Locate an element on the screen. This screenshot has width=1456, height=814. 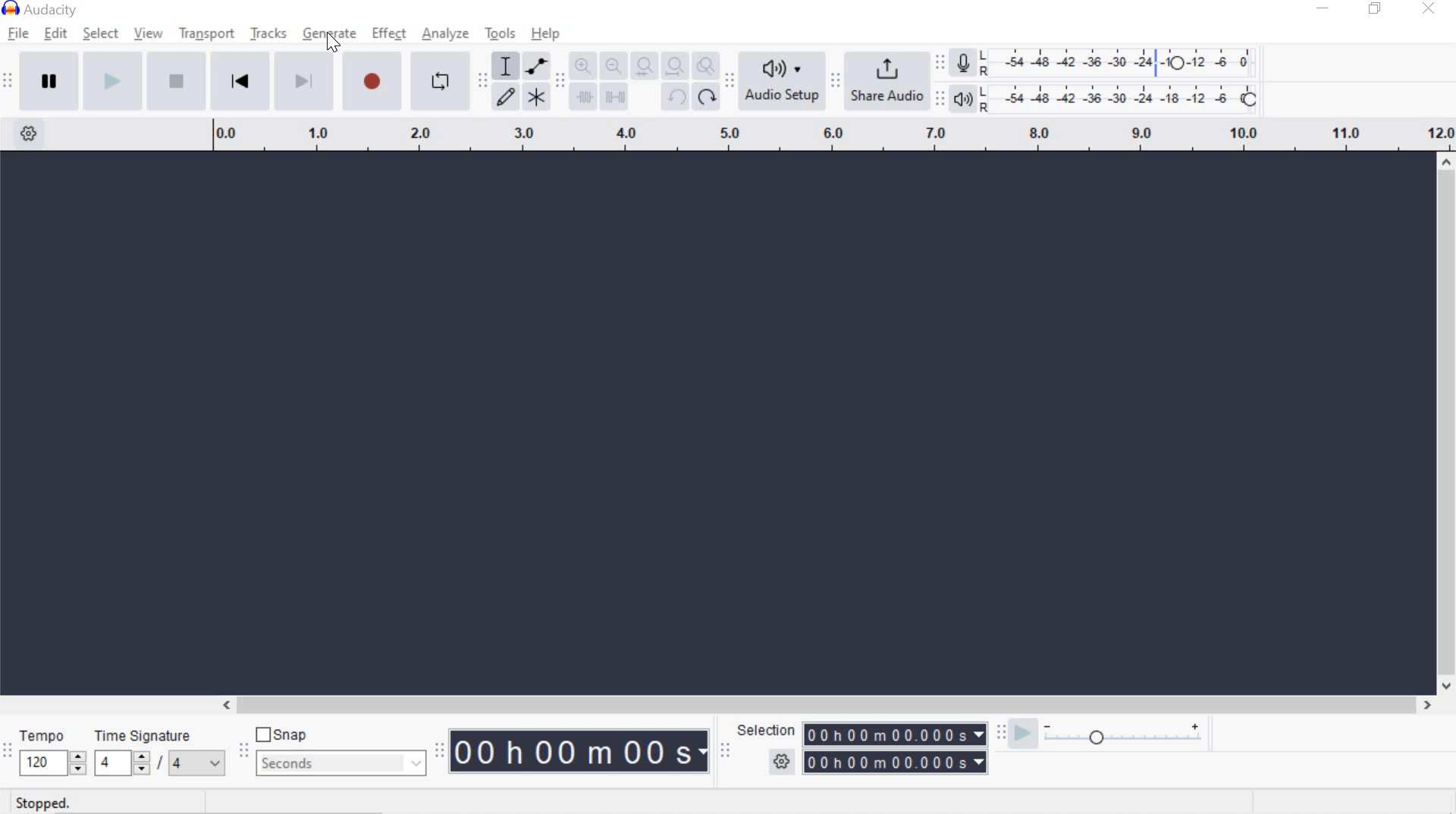
effect is located at coordinates (388, 33).